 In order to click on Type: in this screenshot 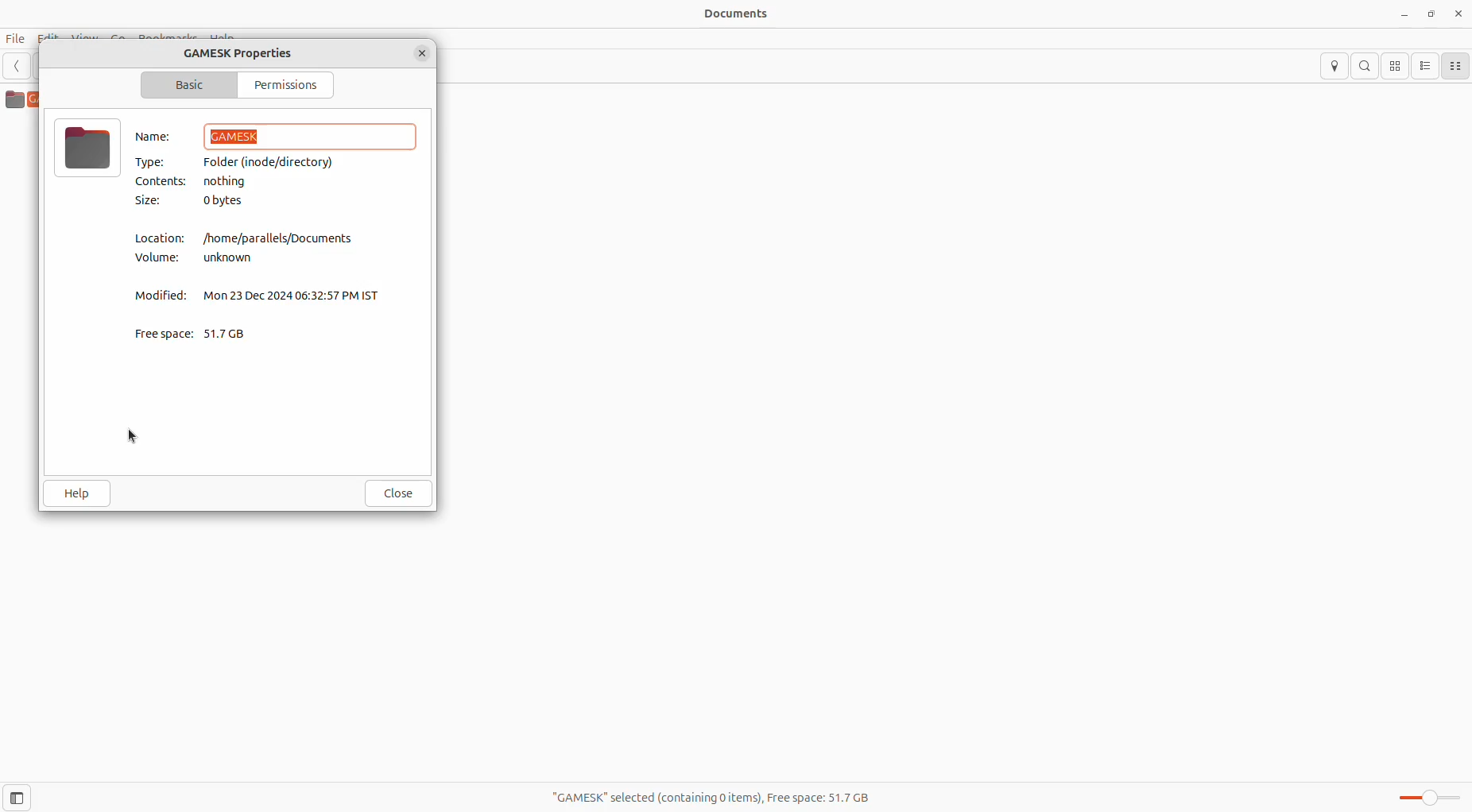, I will do `click(156, 160)`.